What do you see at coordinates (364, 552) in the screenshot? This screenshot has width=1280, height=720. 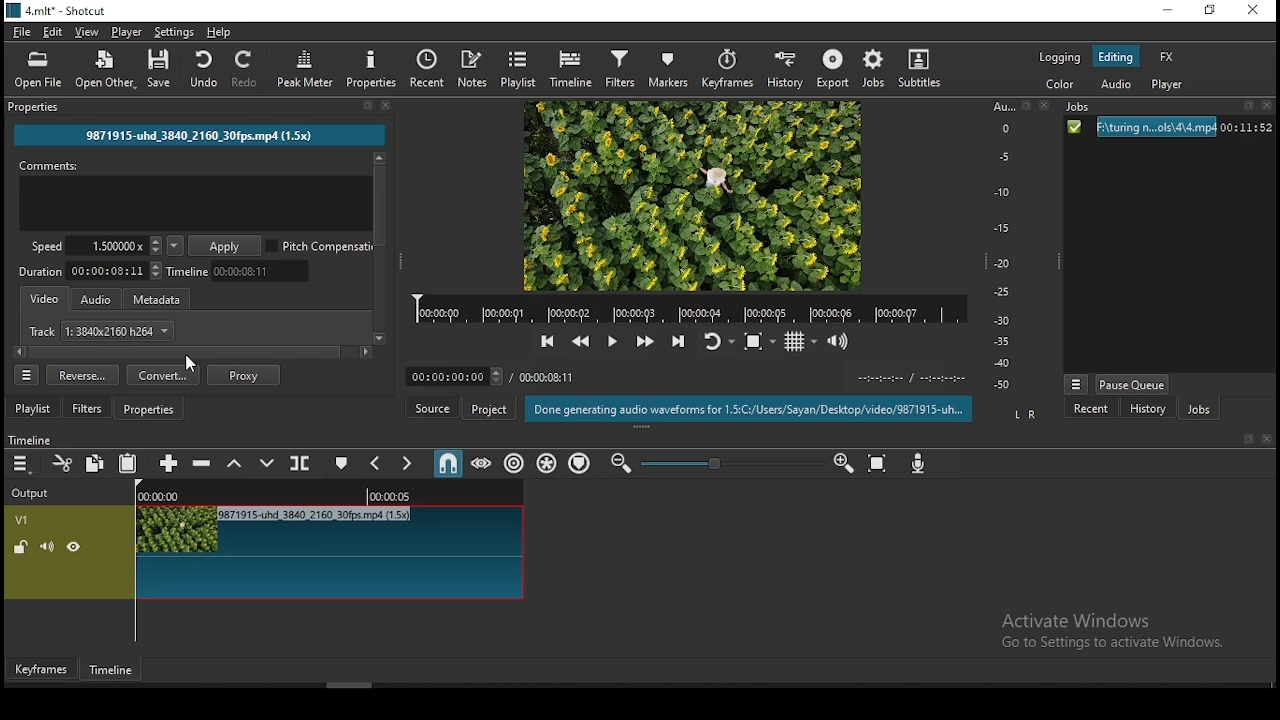 I see `video track` at bounding box center [364, 552].